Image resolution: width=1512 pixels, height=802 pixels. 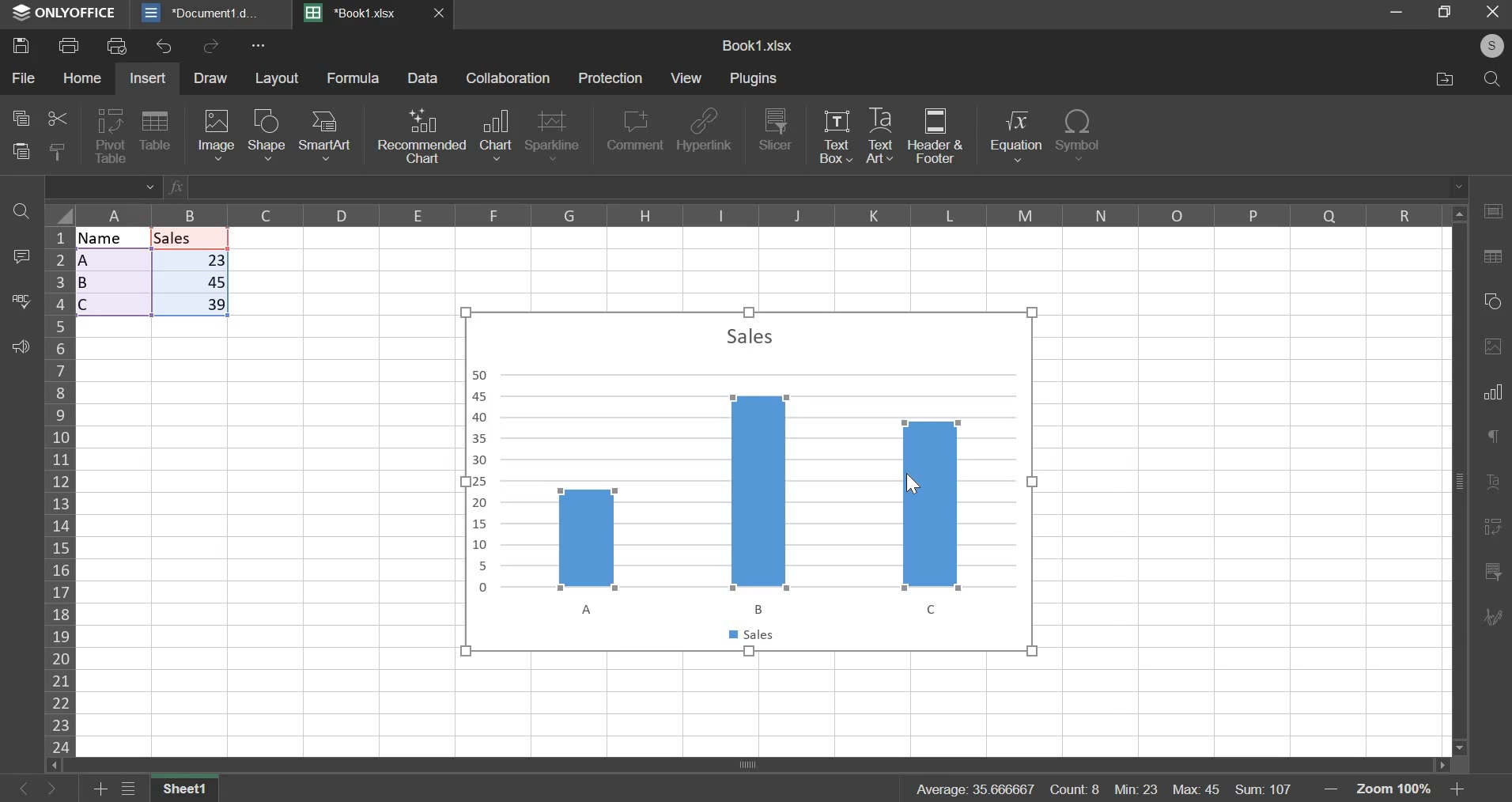 I want to click on exit, so click(x=1491, y=17).